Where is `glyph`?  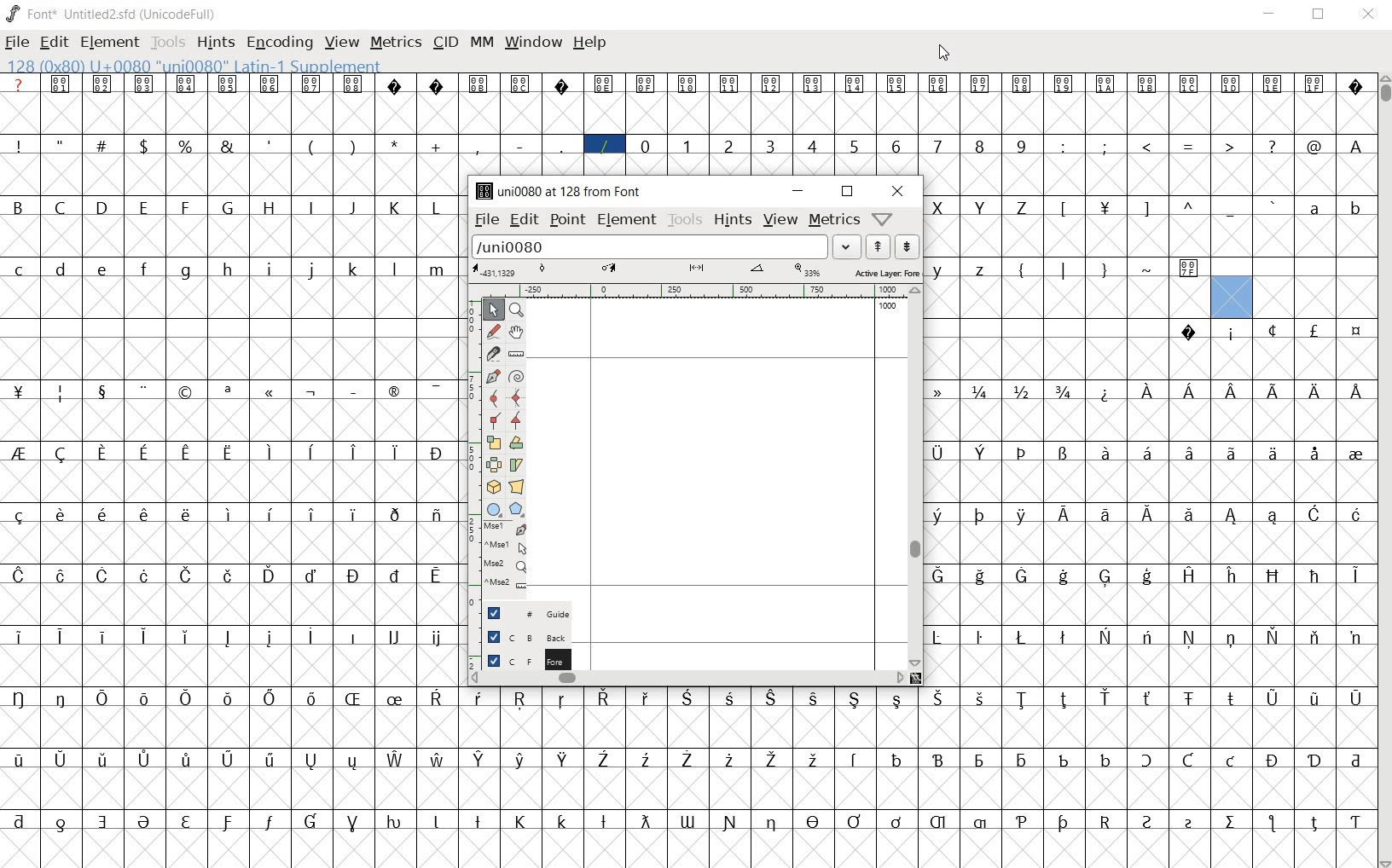
glyph is located at coordinates (979, 146).